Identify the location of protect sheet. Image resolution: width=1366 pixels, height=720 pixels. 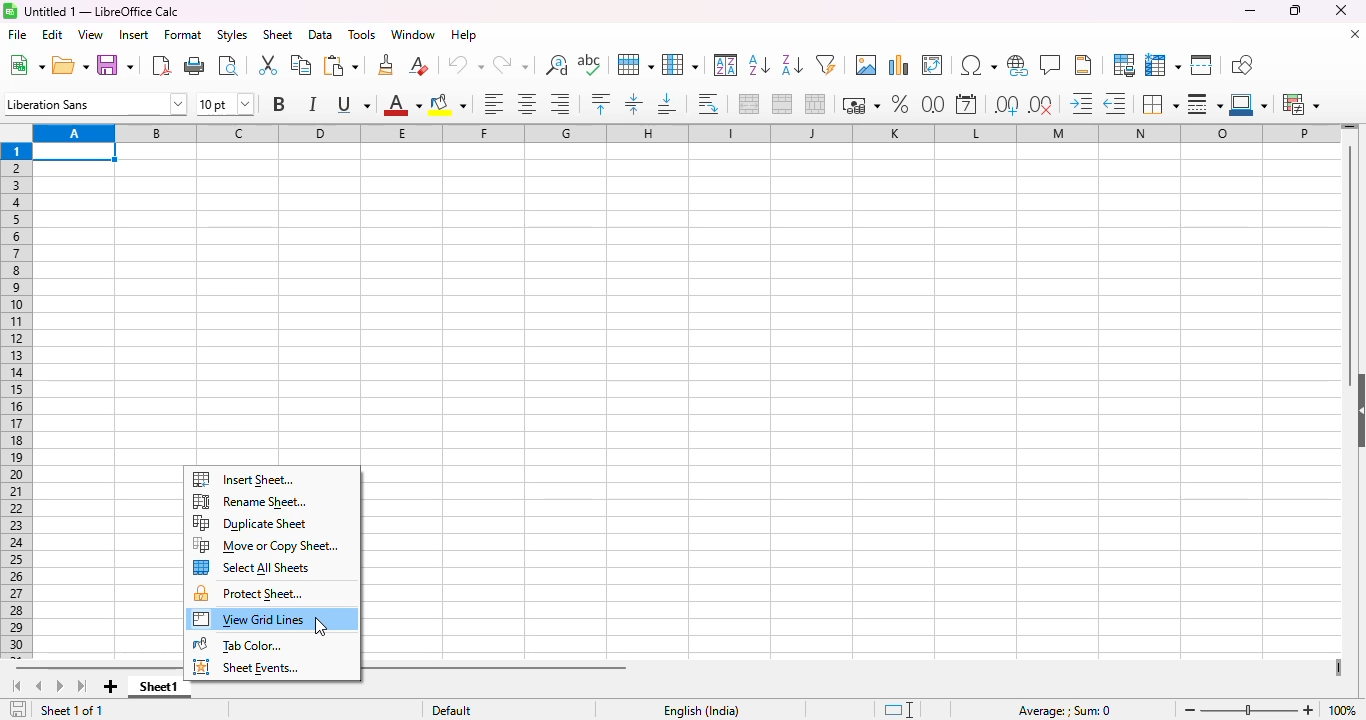
(247, 592).